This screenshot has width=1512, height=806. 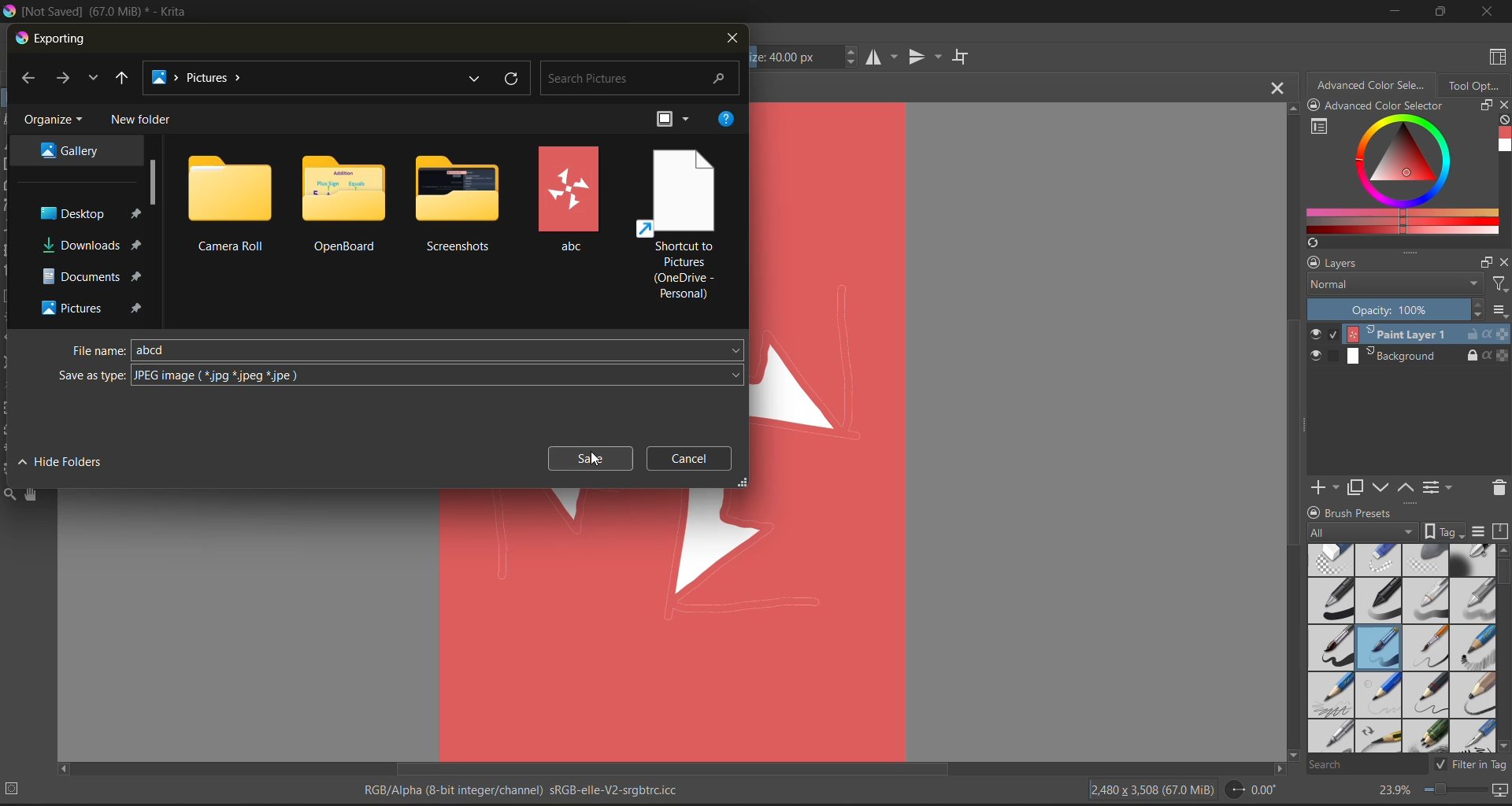 What do you see at coordinates (597, 460) in the screenshot?
I see `Cursor` at bounding box center [597, 460].